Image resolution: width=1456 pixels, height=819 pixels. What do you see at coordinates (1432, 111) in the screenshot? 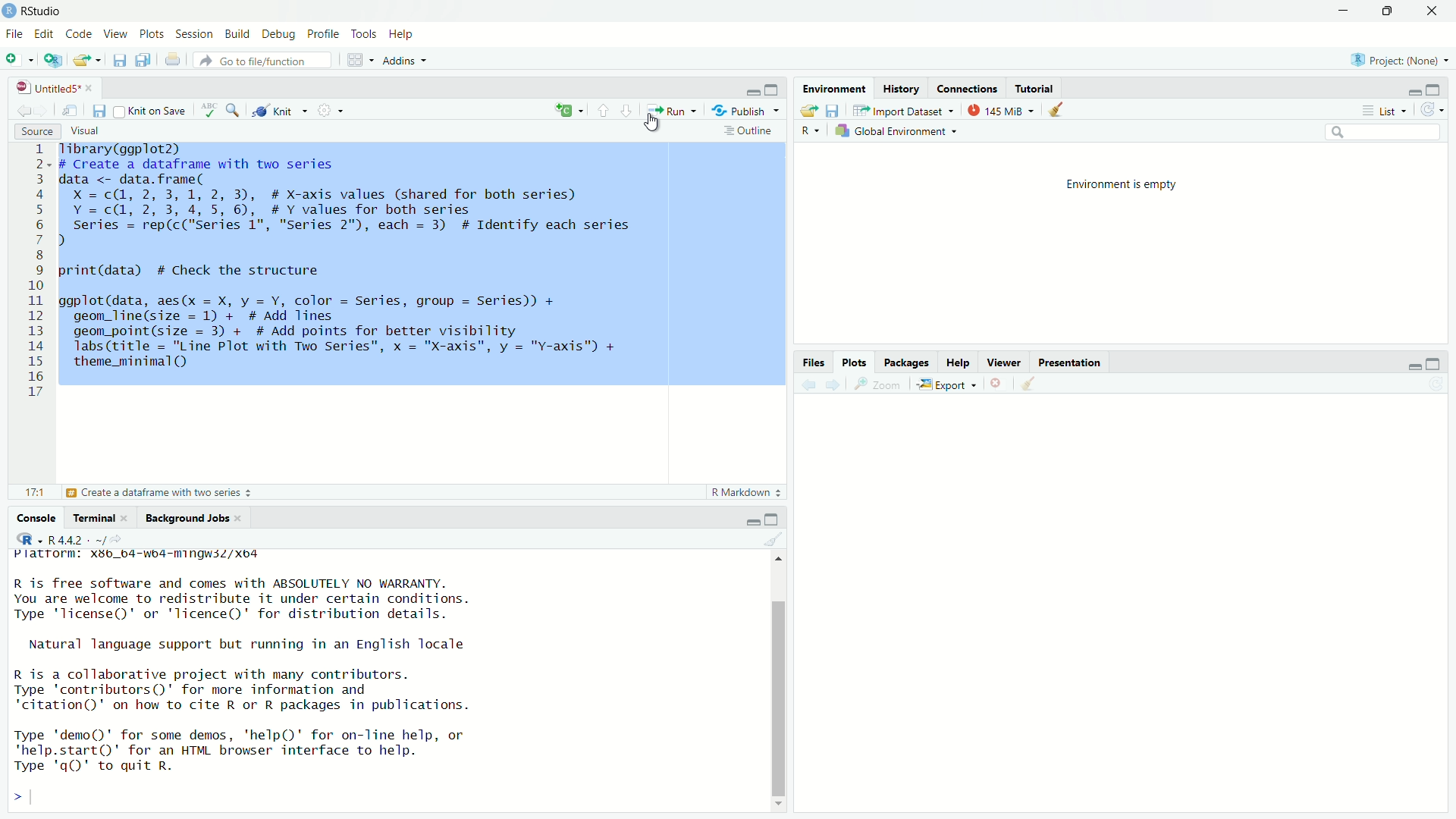
I see `Refresh the list of object in the Environment` at bounding box center [1432, 111].